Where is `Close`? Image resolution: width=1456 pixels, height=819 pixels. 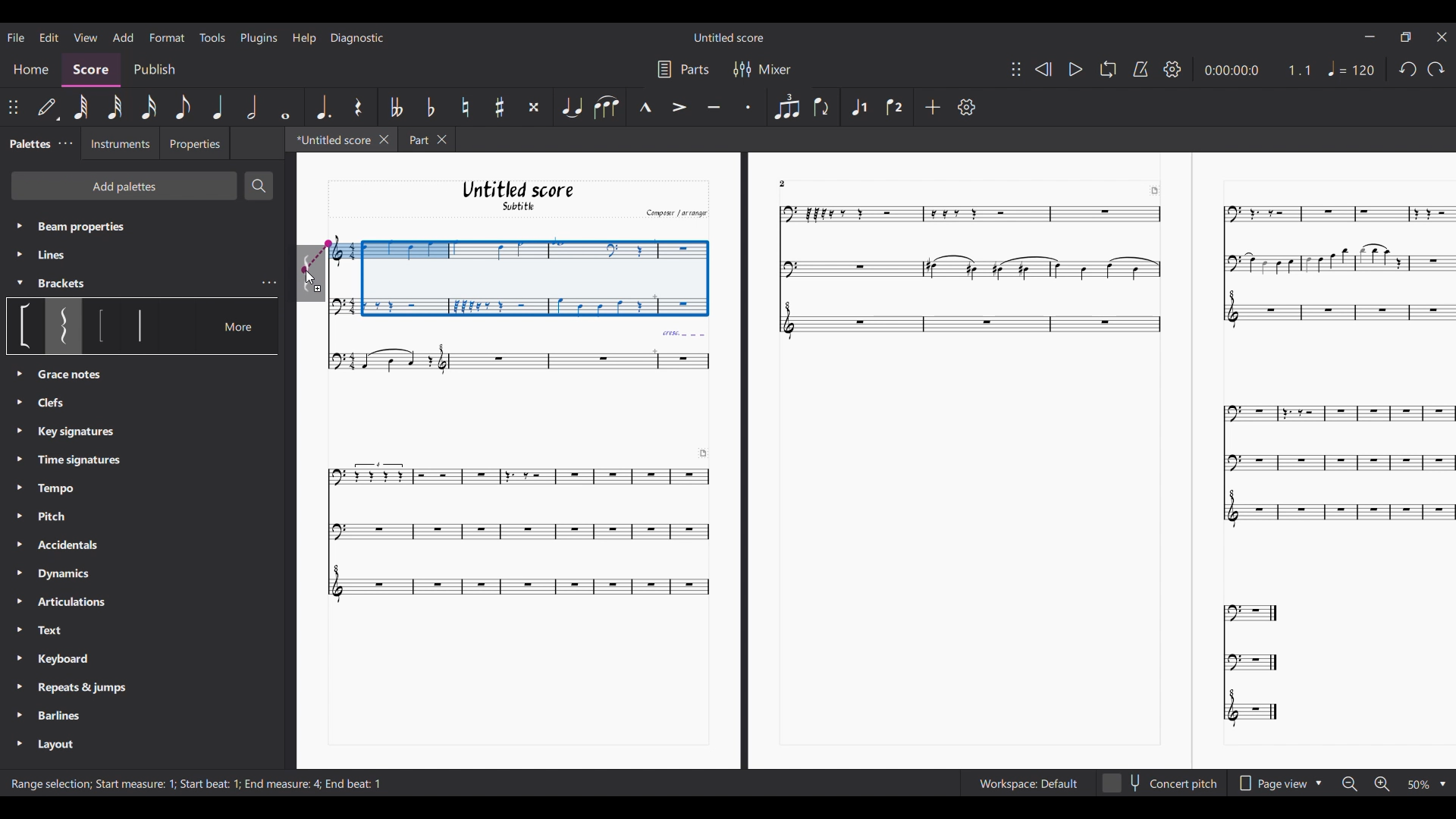
Close is located at coordinates (444, 140).